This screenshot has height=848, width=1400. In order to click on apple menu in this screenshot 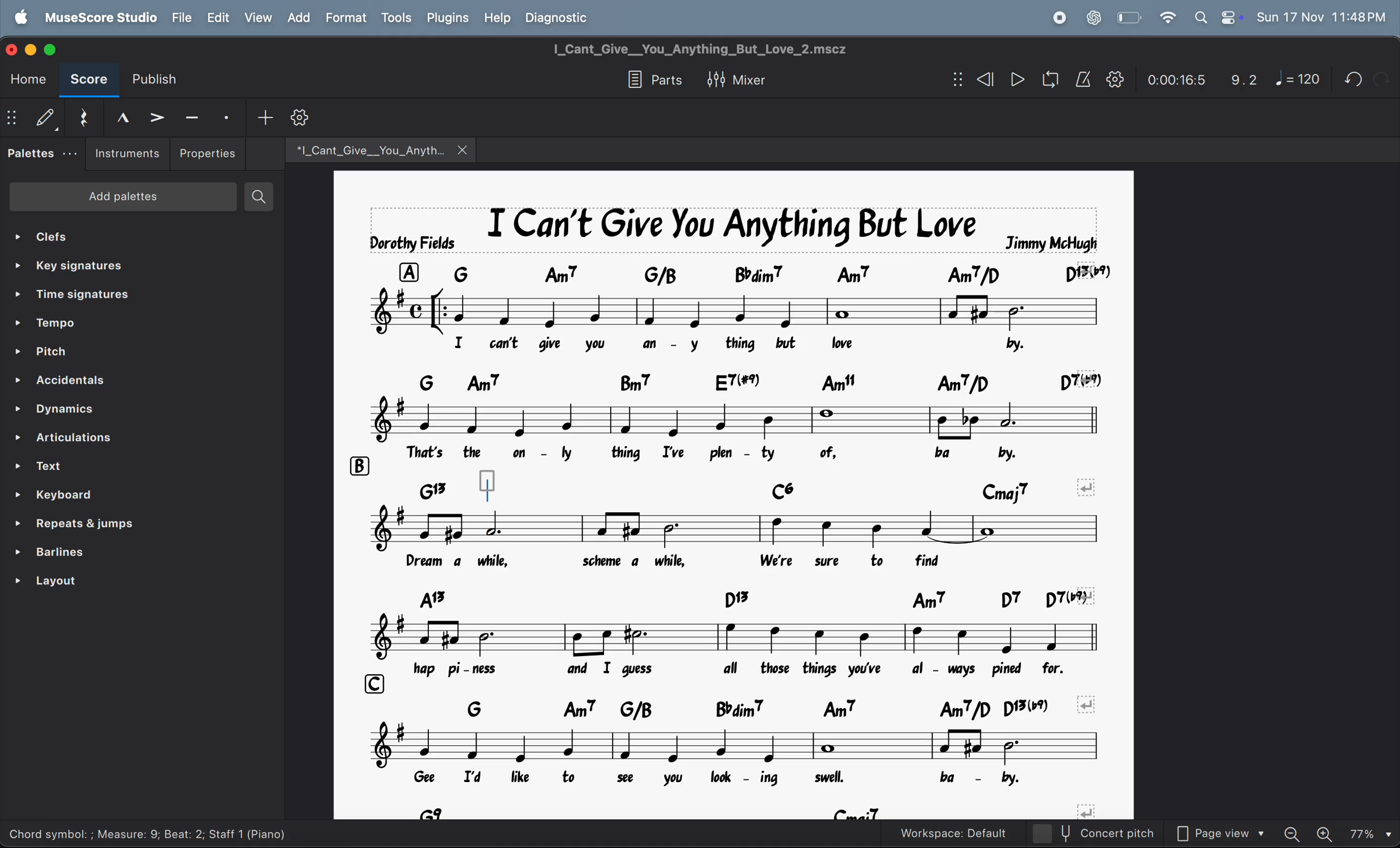, I will do `click(20, 17)`.